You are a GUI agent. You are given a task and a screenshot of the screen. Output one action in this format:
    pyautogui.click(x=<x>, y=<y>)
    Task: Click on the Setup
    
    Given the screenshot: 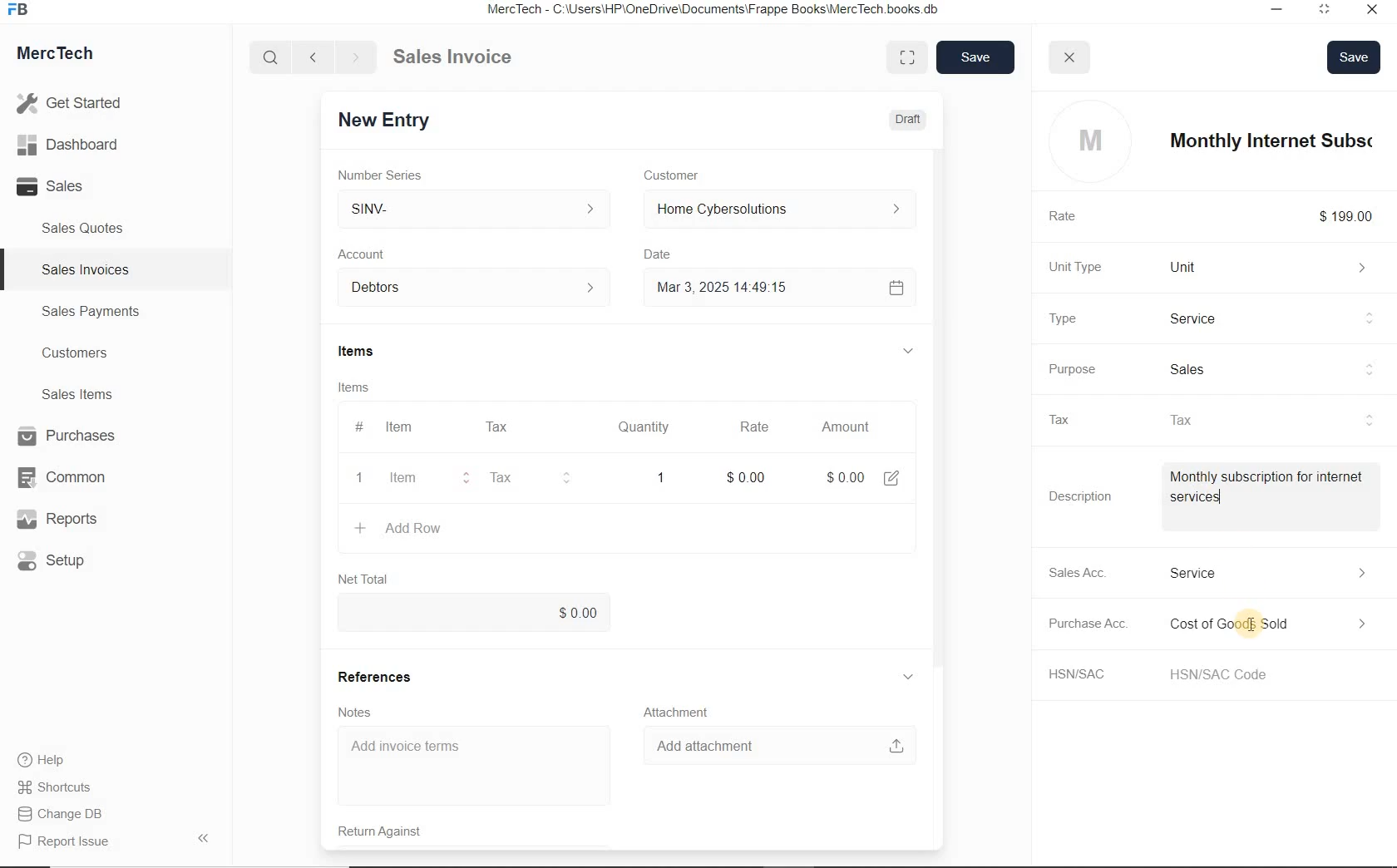 What is the action you would take?
    pyautogui.click(x=70, y=560)
    